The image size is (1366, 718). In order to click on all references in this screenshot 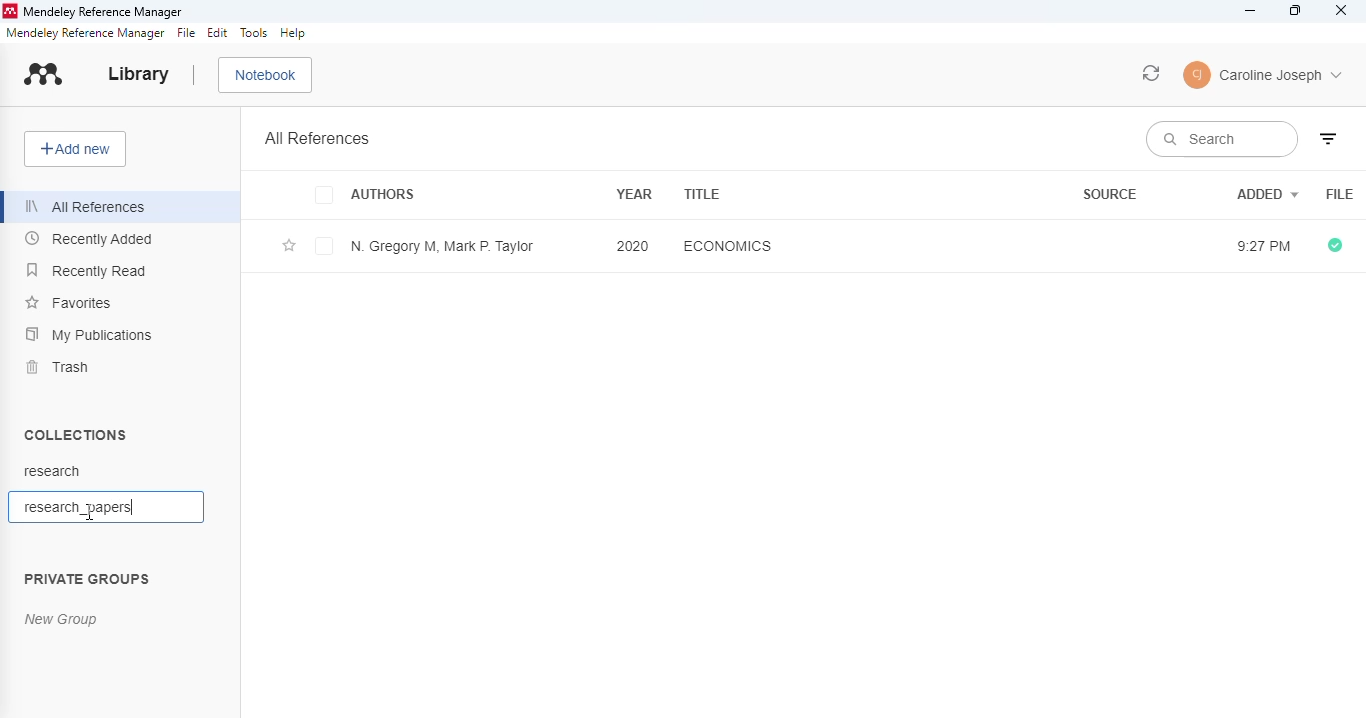, I will do `click(89, 207)`.